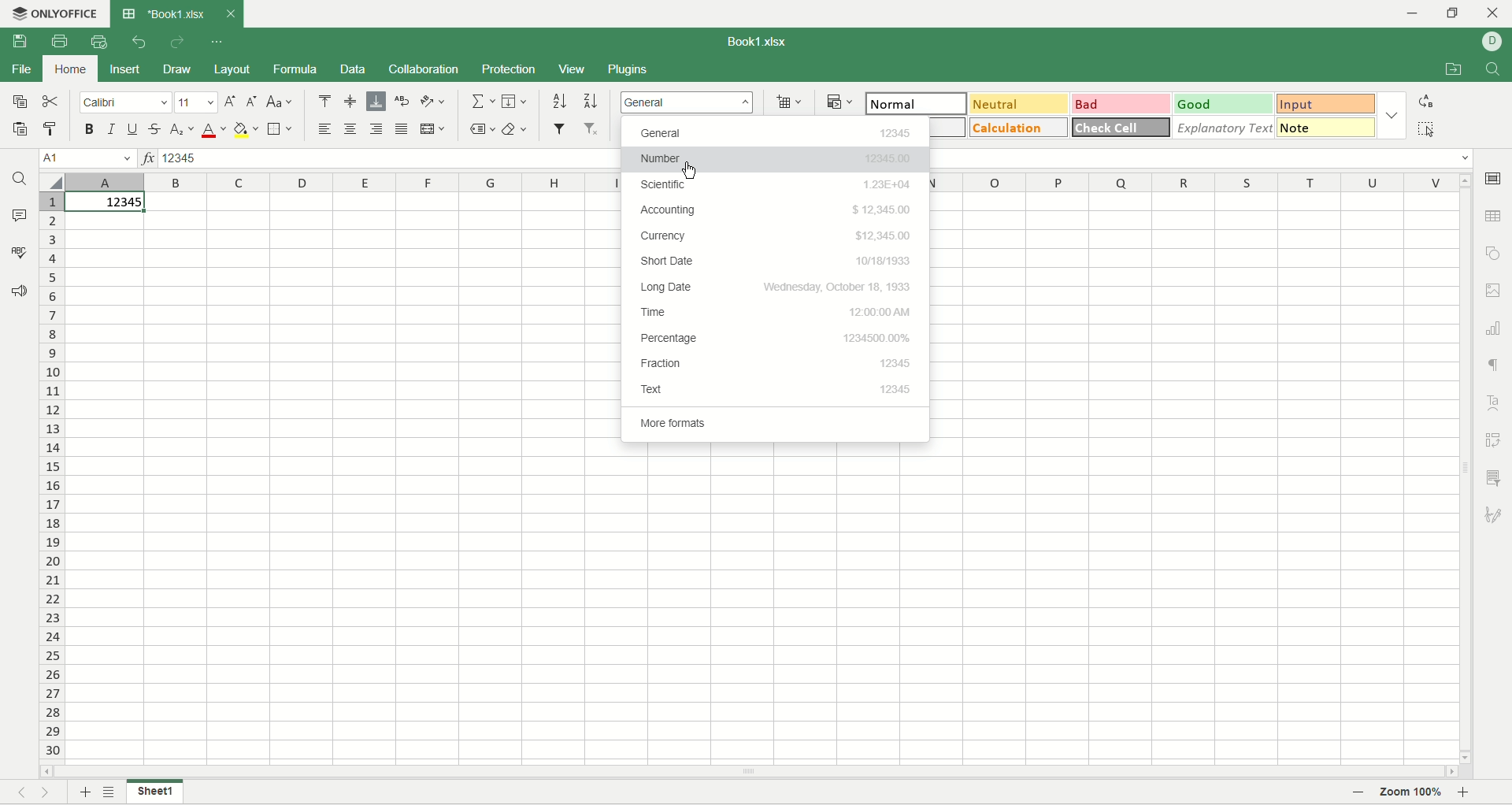 Image resolution: width=1512 pixels, height=805 pixels. I want to click on filter, so click(559, 130).